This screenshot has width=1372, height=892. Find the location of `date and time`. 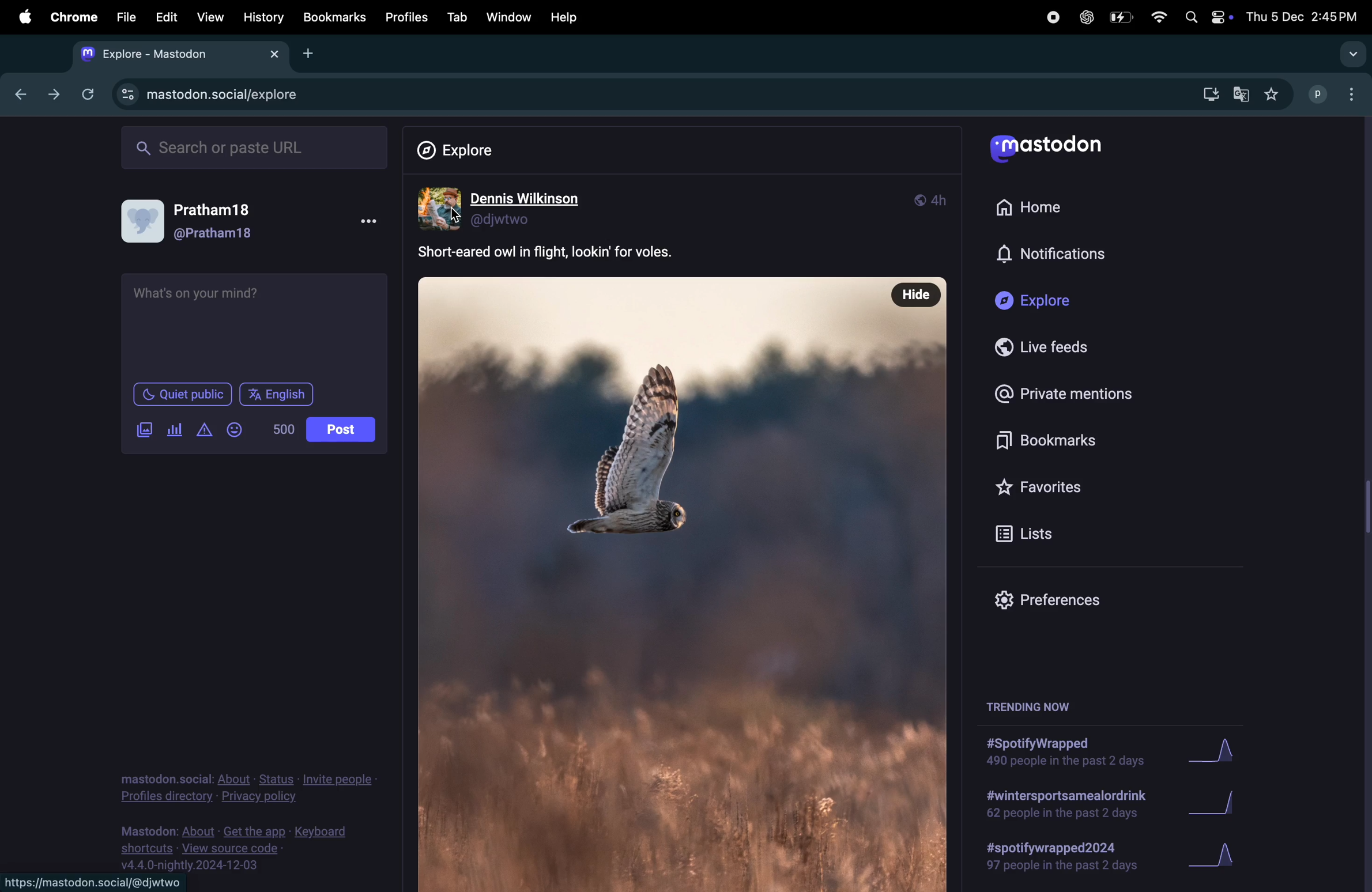

date and time is located at coordinates (1305, 18).